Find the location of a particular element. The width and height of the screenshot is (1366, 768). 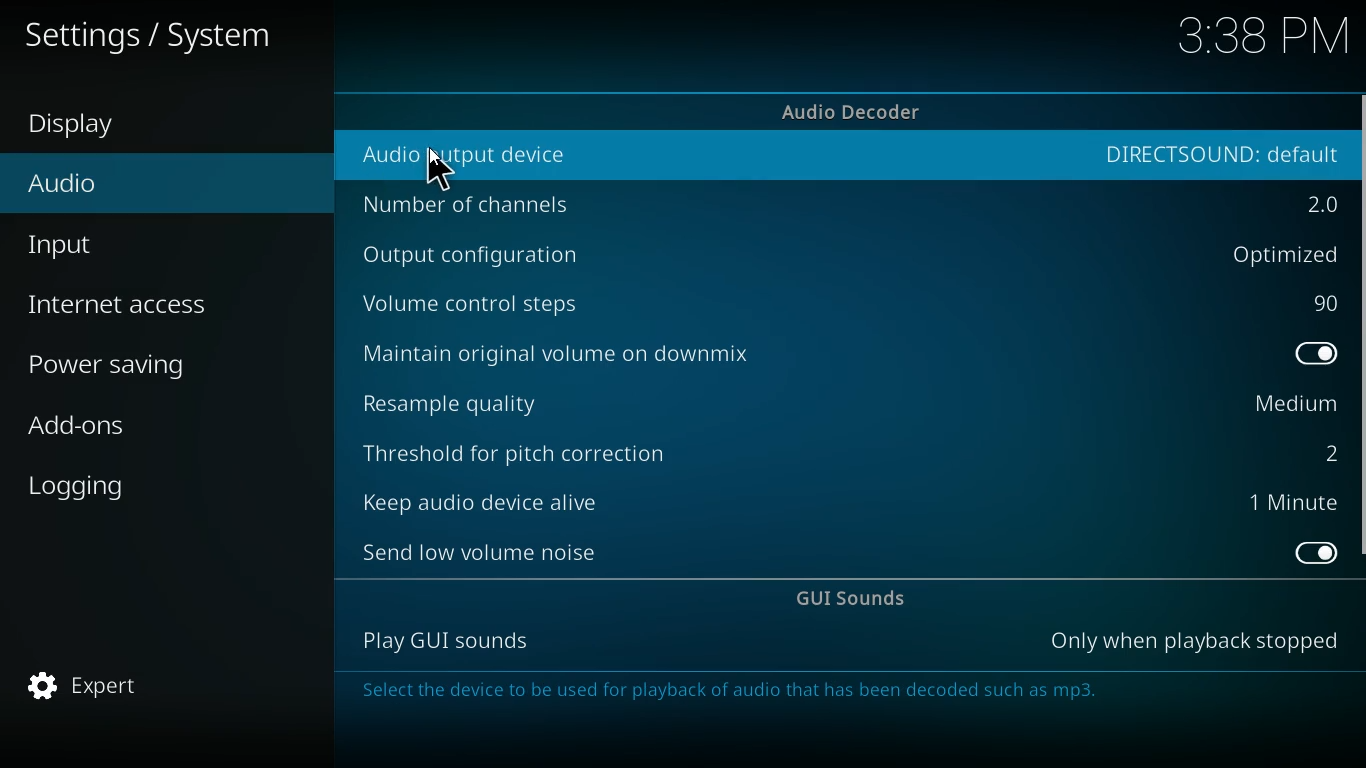

mantain original volume on downmix is located at coordinates (593, 351).